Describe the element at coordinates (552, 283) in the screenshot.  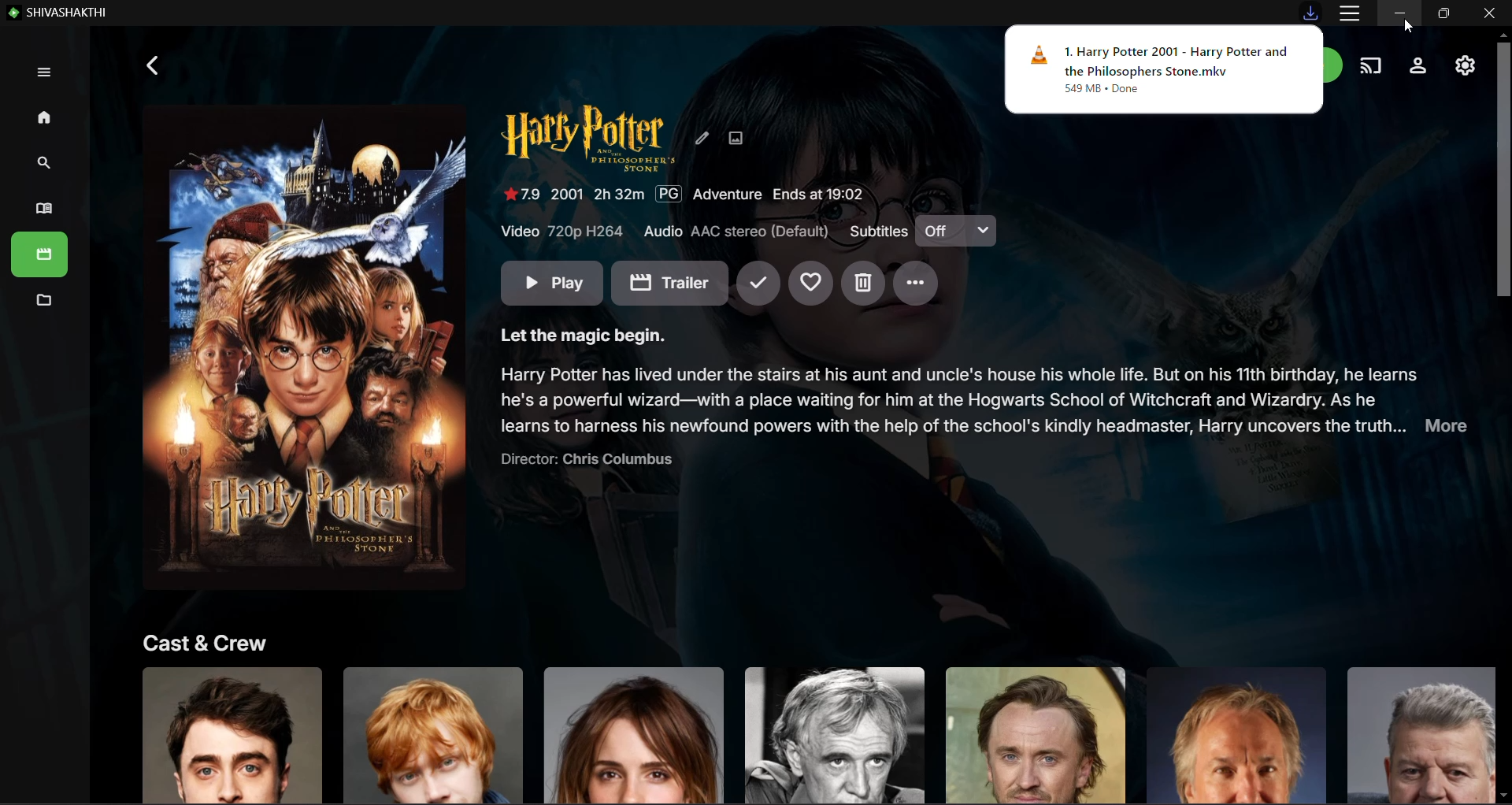
I see `Play` at that location.